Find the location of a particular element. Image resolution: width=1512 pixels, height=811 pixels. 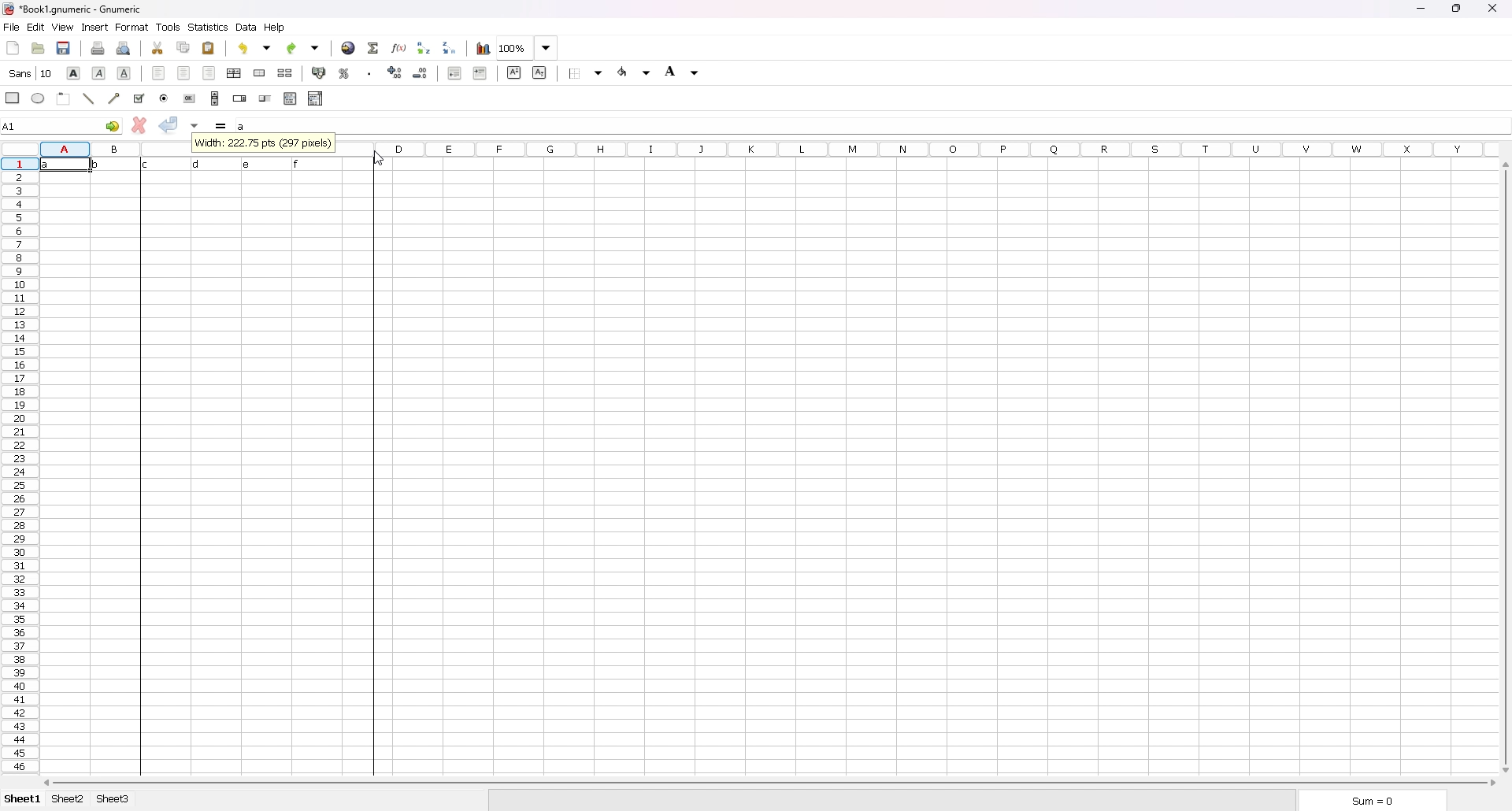

scroll bar is located at coordinates (215, 98).